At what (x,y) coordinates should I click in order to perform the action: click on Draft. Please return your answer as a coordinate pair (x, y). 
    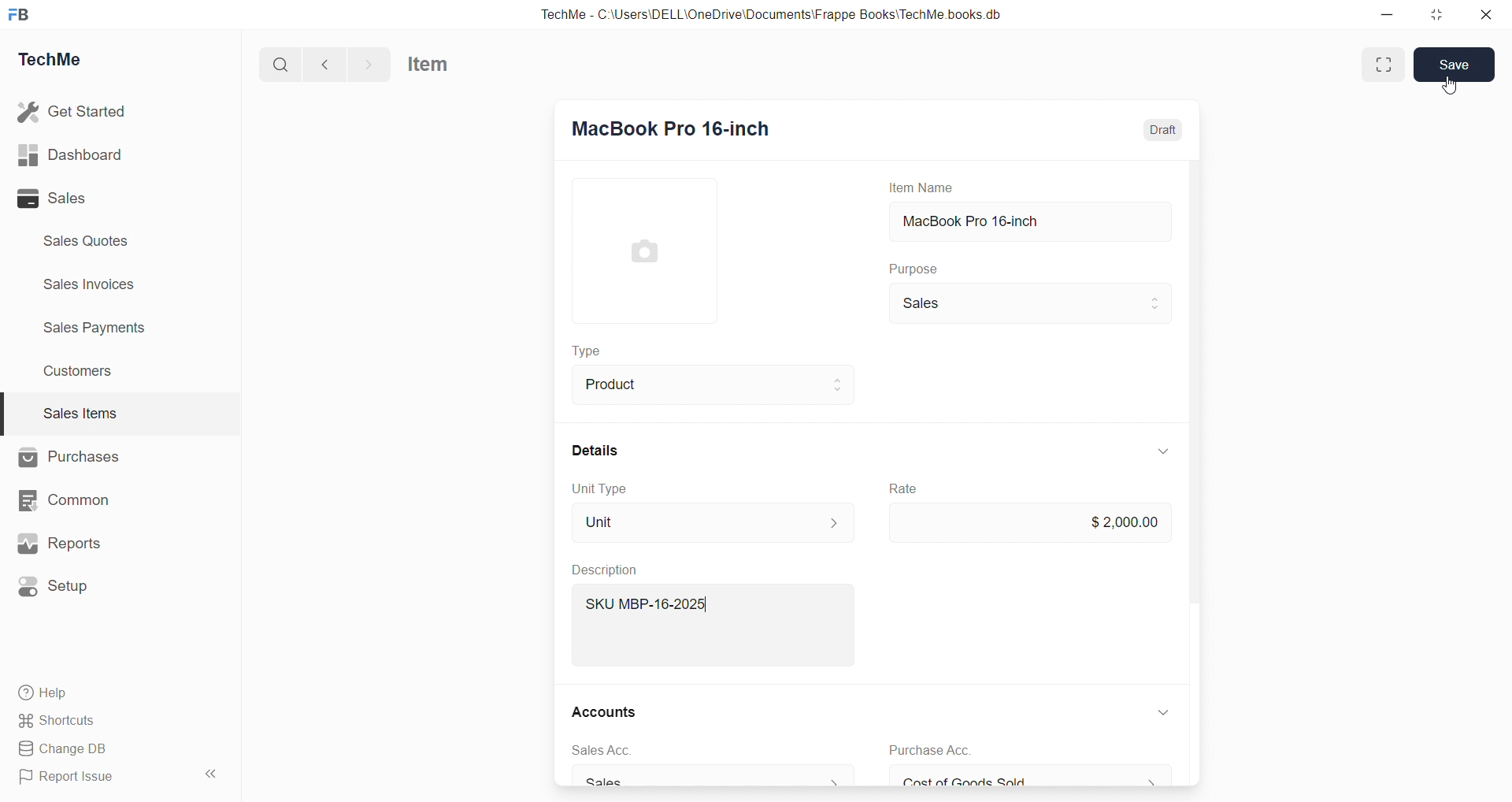
    Looking at the image, I should click on (1164, 129).